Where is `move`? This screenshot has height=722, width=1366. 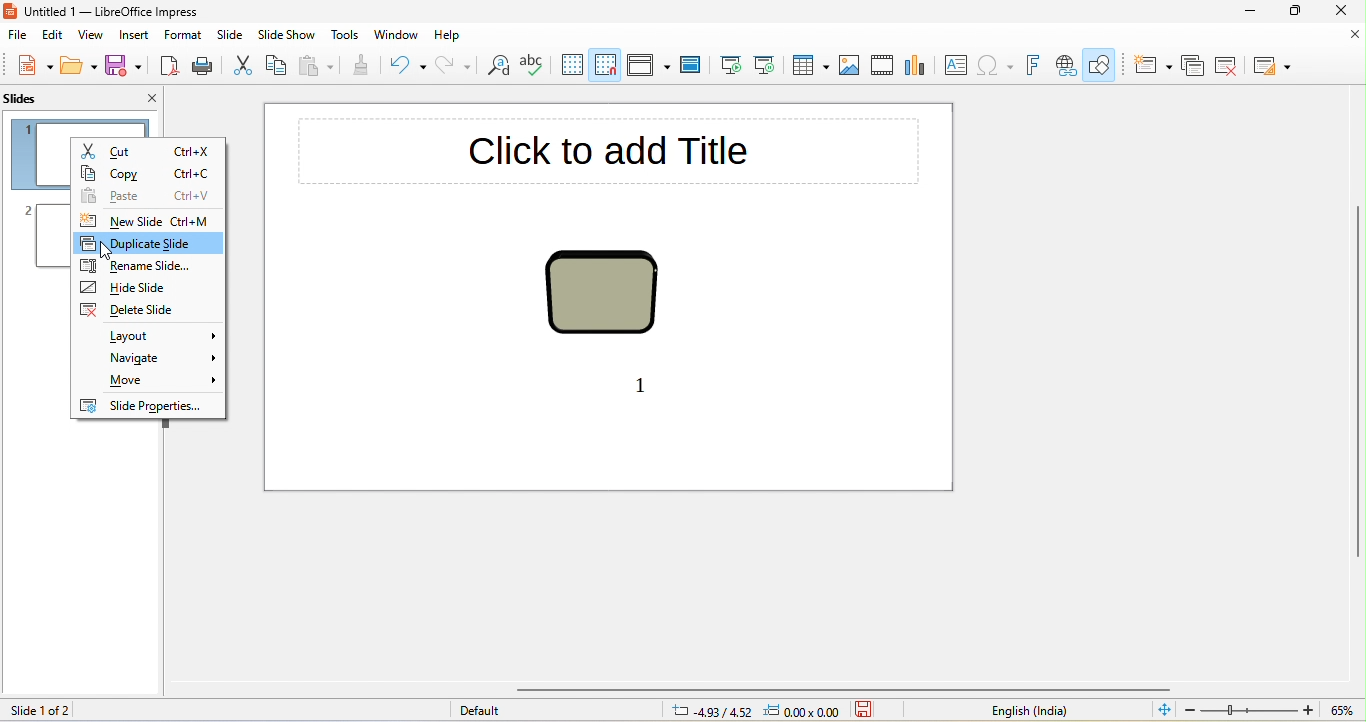
move is located at coordinates (150, 380).